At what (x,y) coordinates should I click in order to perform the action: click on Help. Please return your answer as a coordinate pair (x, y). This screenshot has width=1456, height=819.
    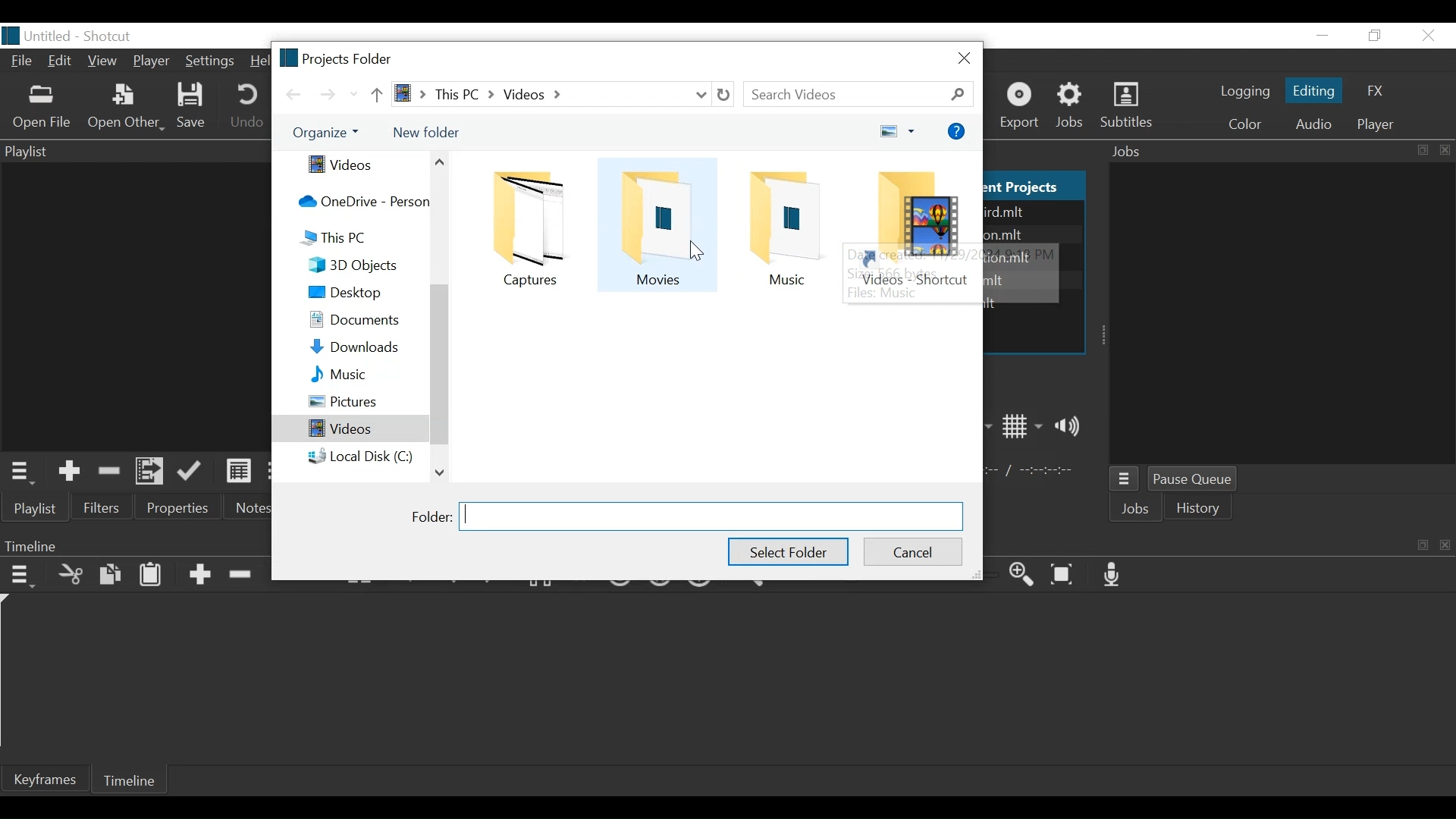
    Looking at the image, I should click on (258, 61).